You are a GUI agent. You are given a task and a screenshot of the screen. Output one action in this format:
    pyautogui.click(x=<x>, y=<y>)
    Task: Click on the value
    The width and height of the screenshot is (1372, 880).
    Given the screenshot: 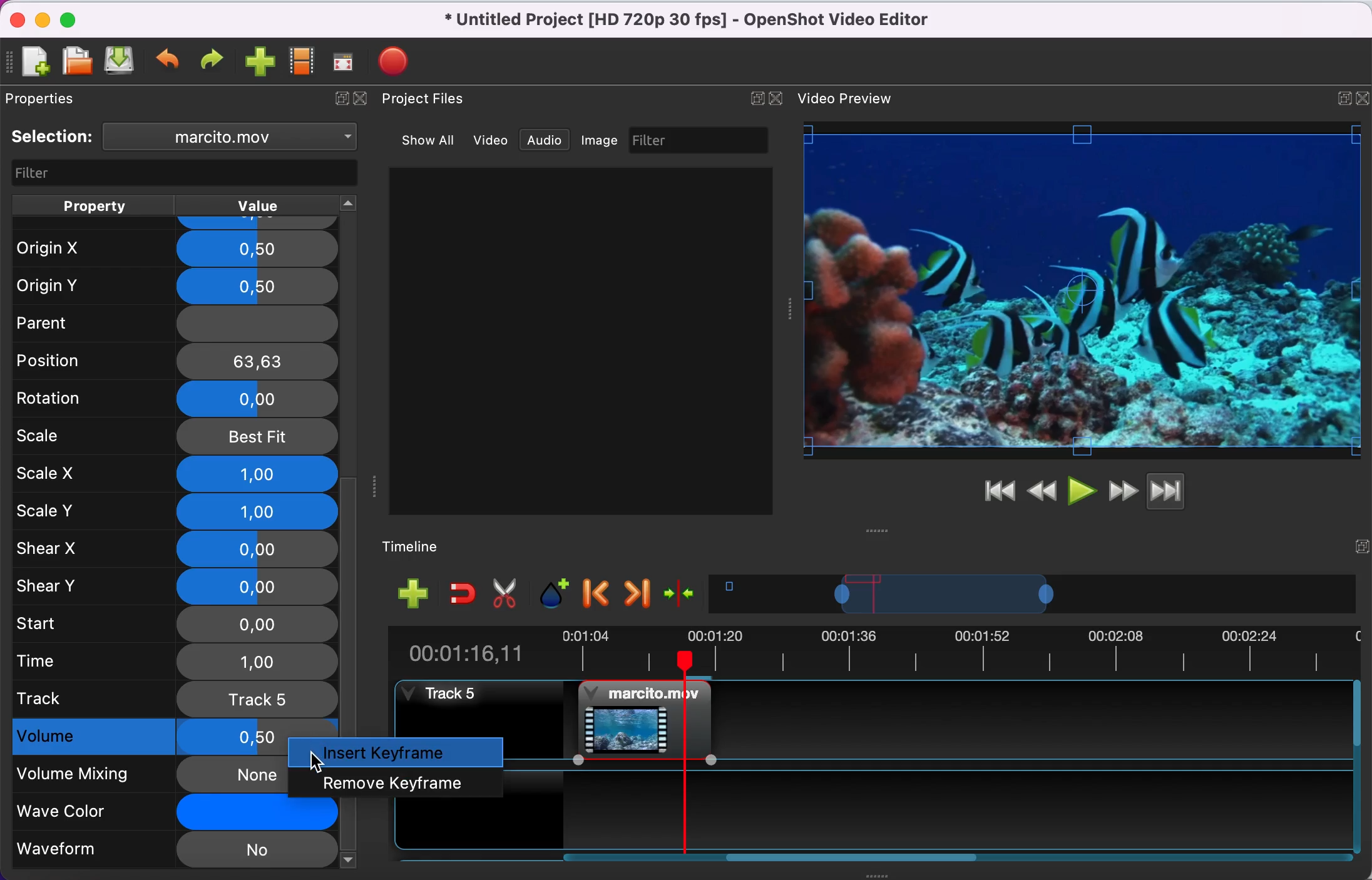 What is the action you would take?
    pyautogui.click(x=273, y=205)
    